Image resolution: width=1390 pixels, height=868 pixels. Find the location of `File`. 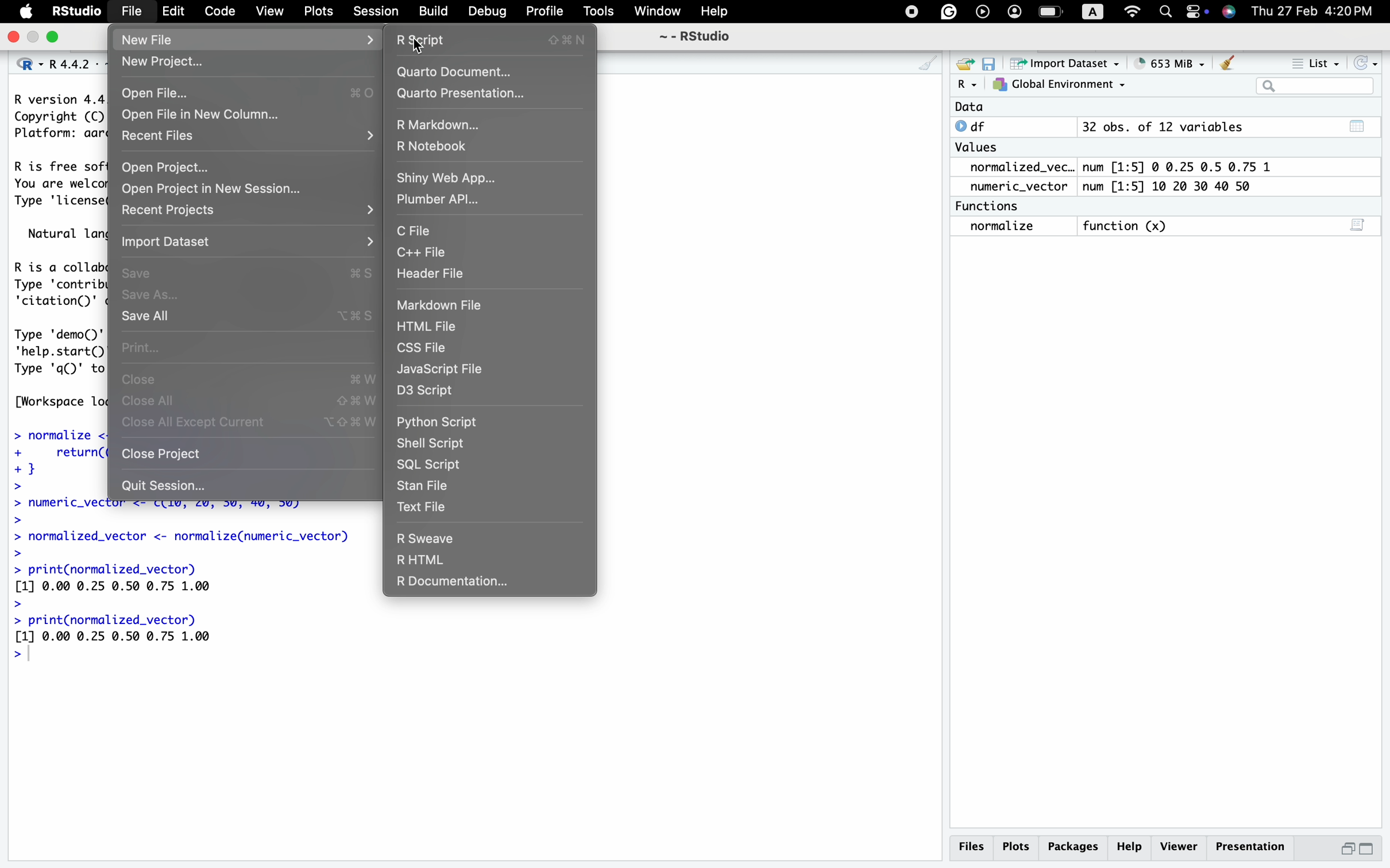

File is located at coordinates (133, 13).